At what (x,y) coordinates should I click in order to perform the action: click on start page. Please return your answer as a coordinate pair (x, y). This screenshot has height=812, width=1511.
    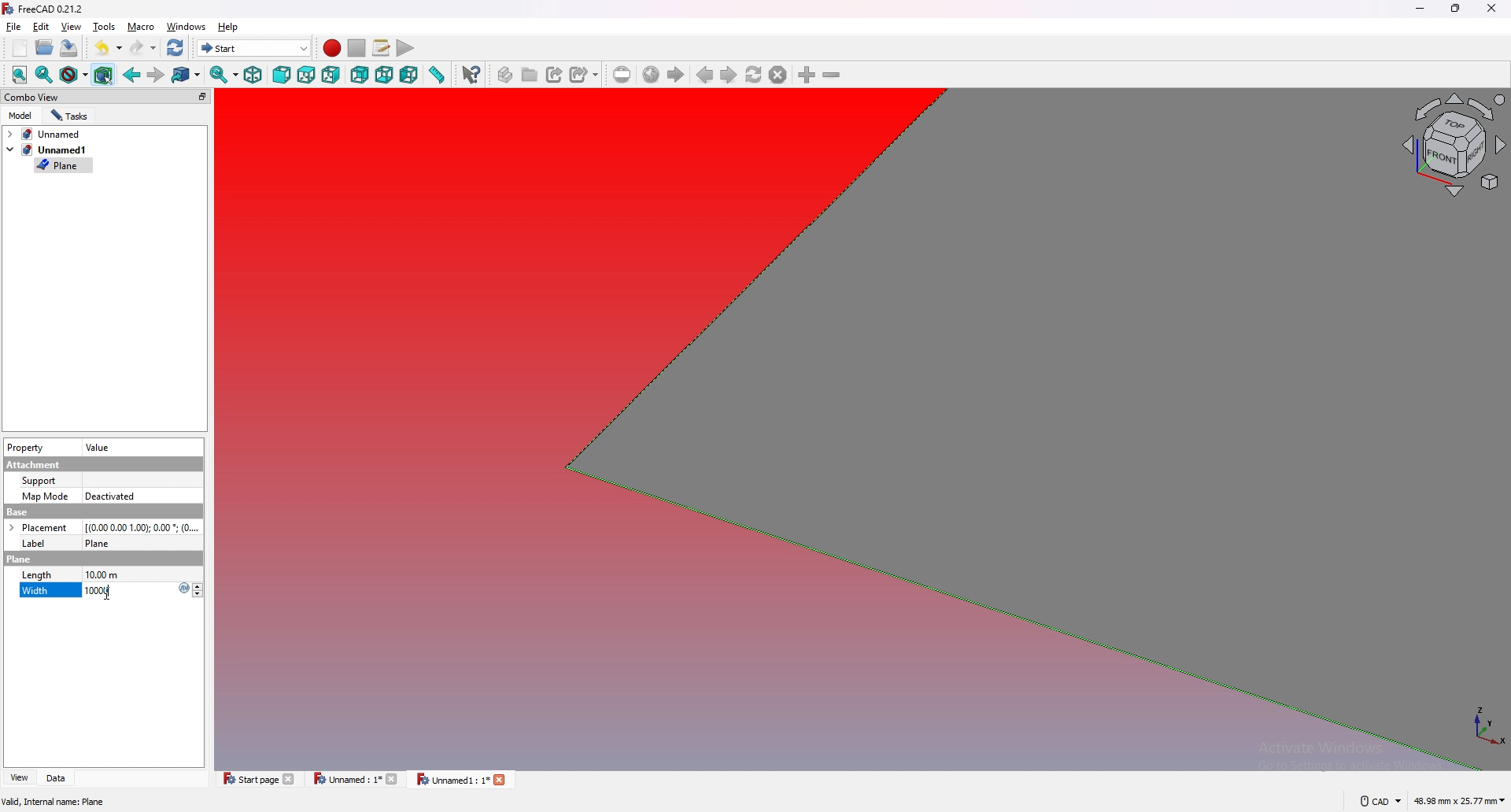
    Looking at the image, I should click on (260, 778).